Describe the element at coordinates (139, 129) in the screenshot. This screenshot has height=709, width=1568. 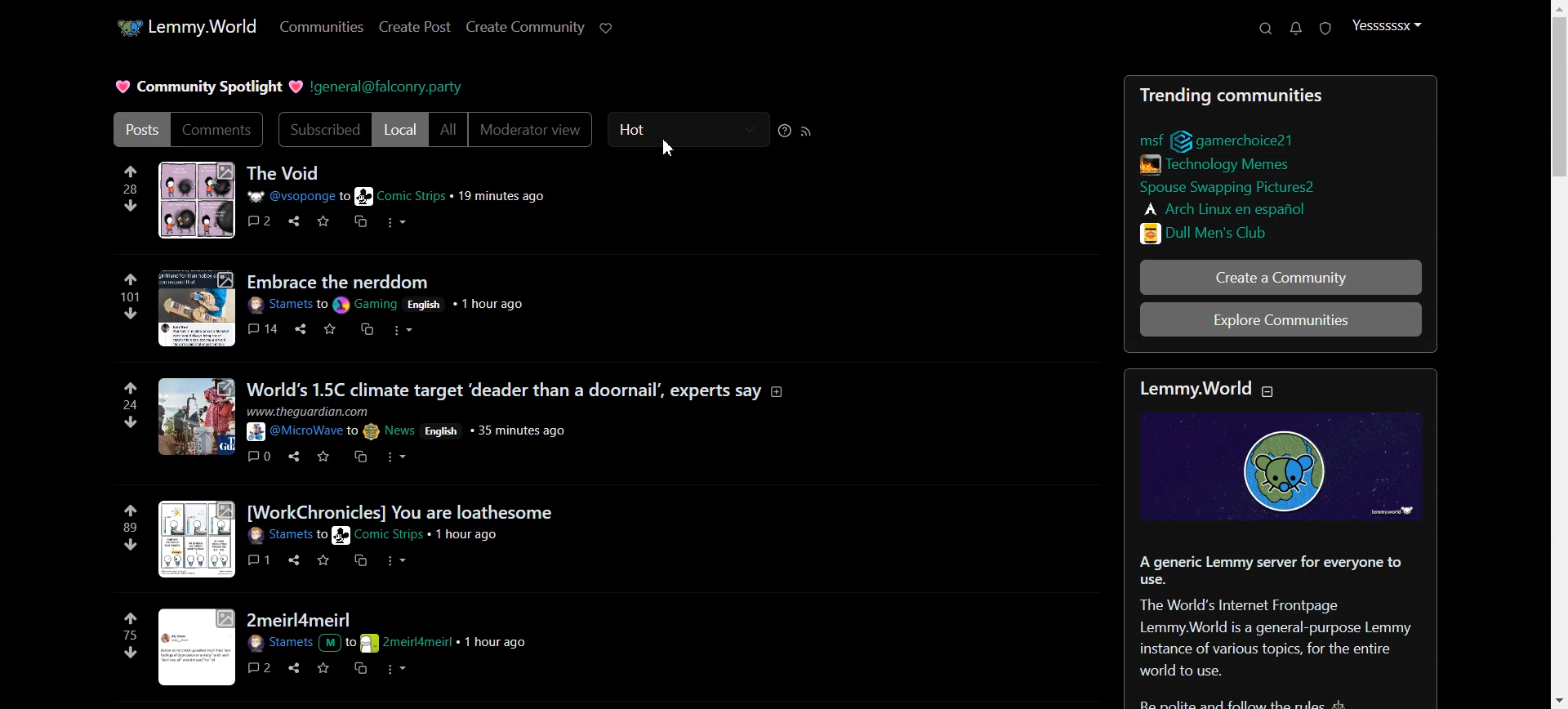
I see `Posts` at that location.